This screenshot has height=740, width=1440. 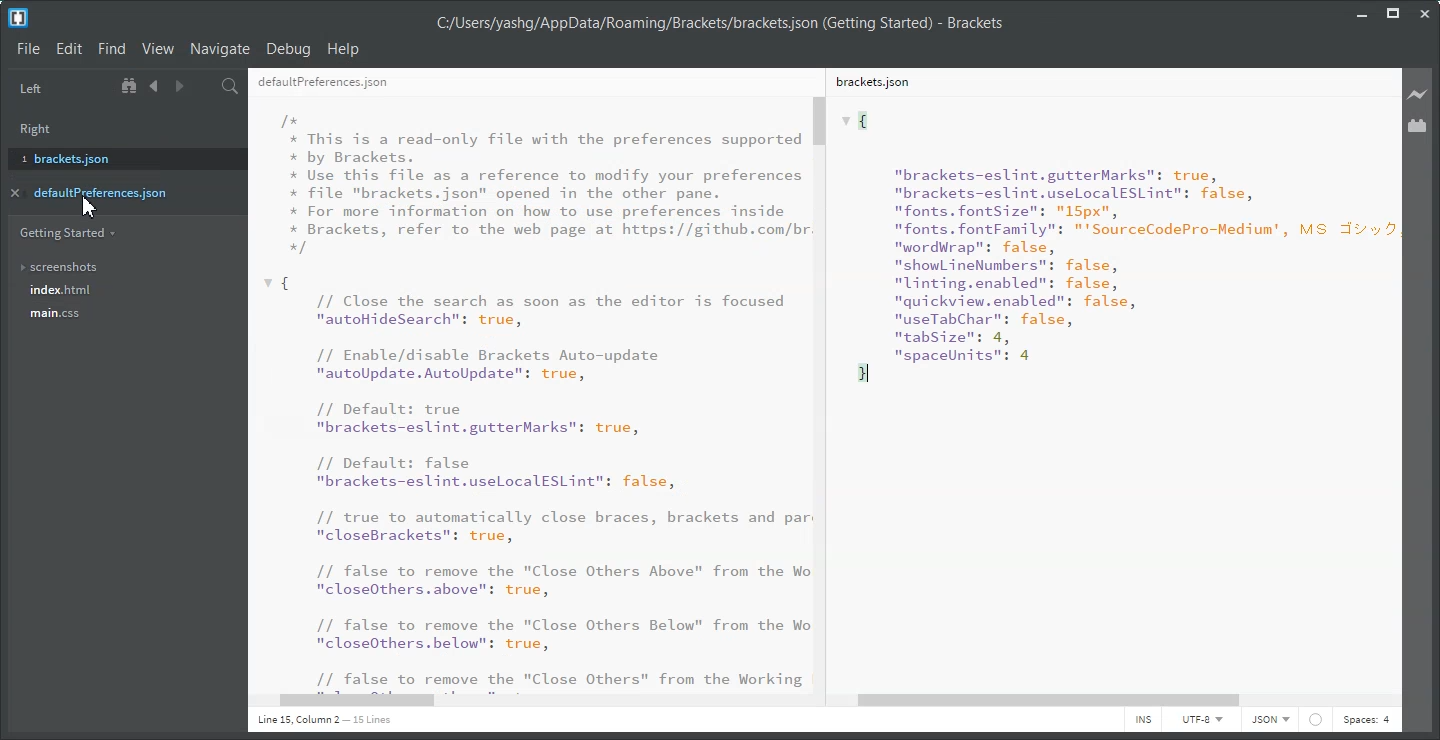 What do you see at coordinates (154, 86) in the screenshot?
I see `Navigate Backward` at bounding box center [154, 86].